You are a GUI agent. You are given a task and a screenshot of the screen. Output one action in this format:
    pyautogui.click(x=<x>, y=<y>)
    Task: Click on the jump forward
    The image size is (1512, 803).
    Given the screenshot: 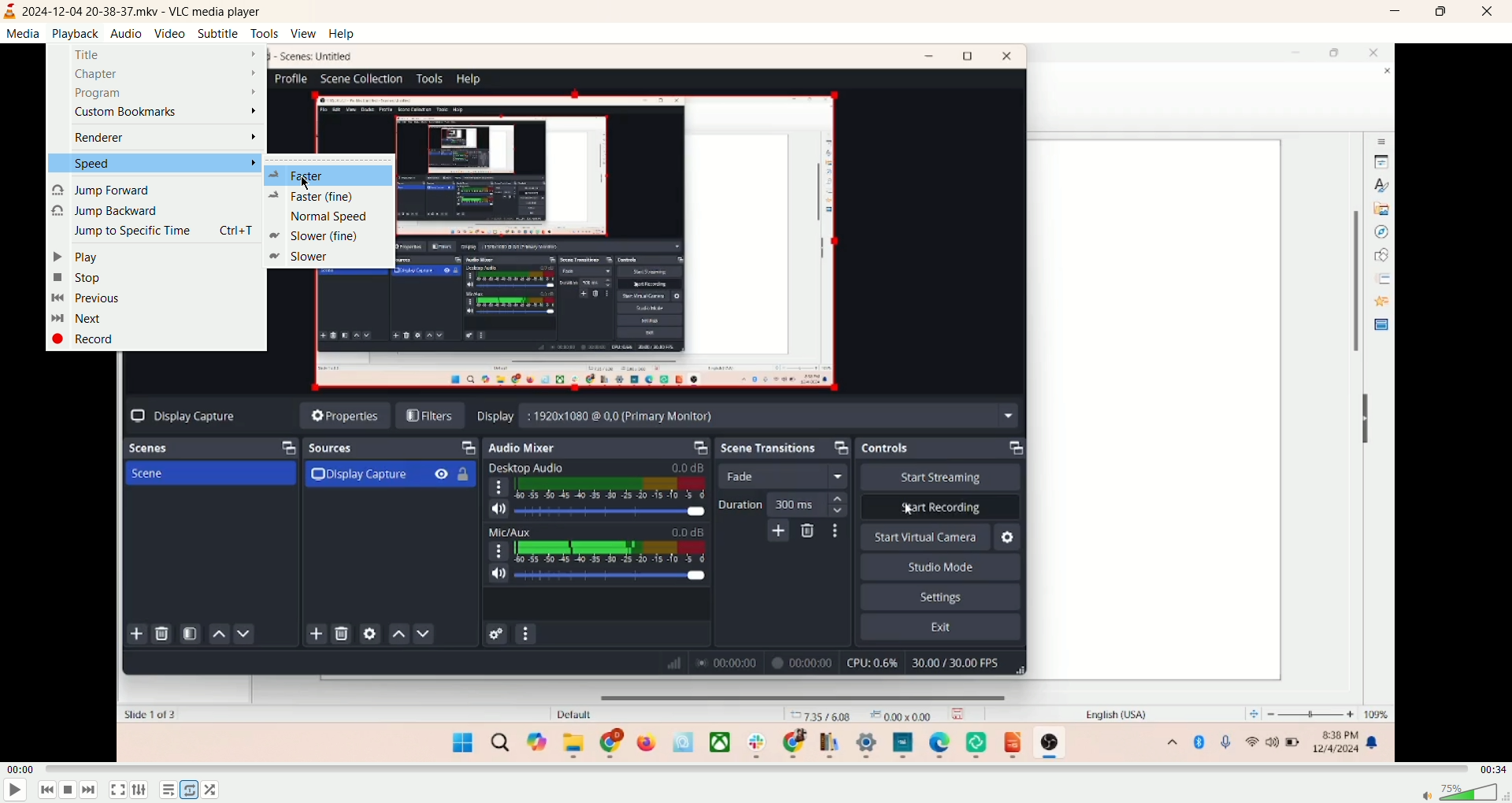 What is the action you would take?
    pyautogui.click(x=103, y=187)
    